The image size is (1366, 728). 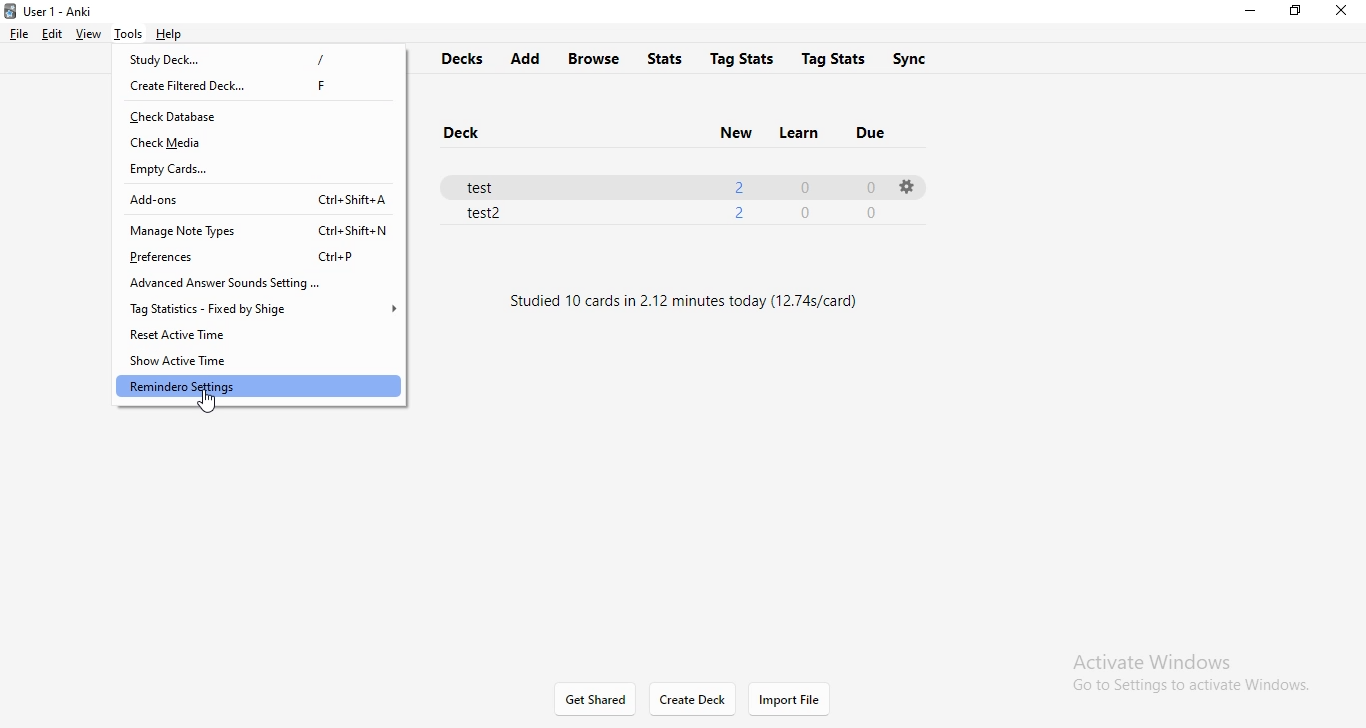 What do you see at coordinates (248, 364) in the screenshot?
I see `show active time` at bounding box center [248, 364].